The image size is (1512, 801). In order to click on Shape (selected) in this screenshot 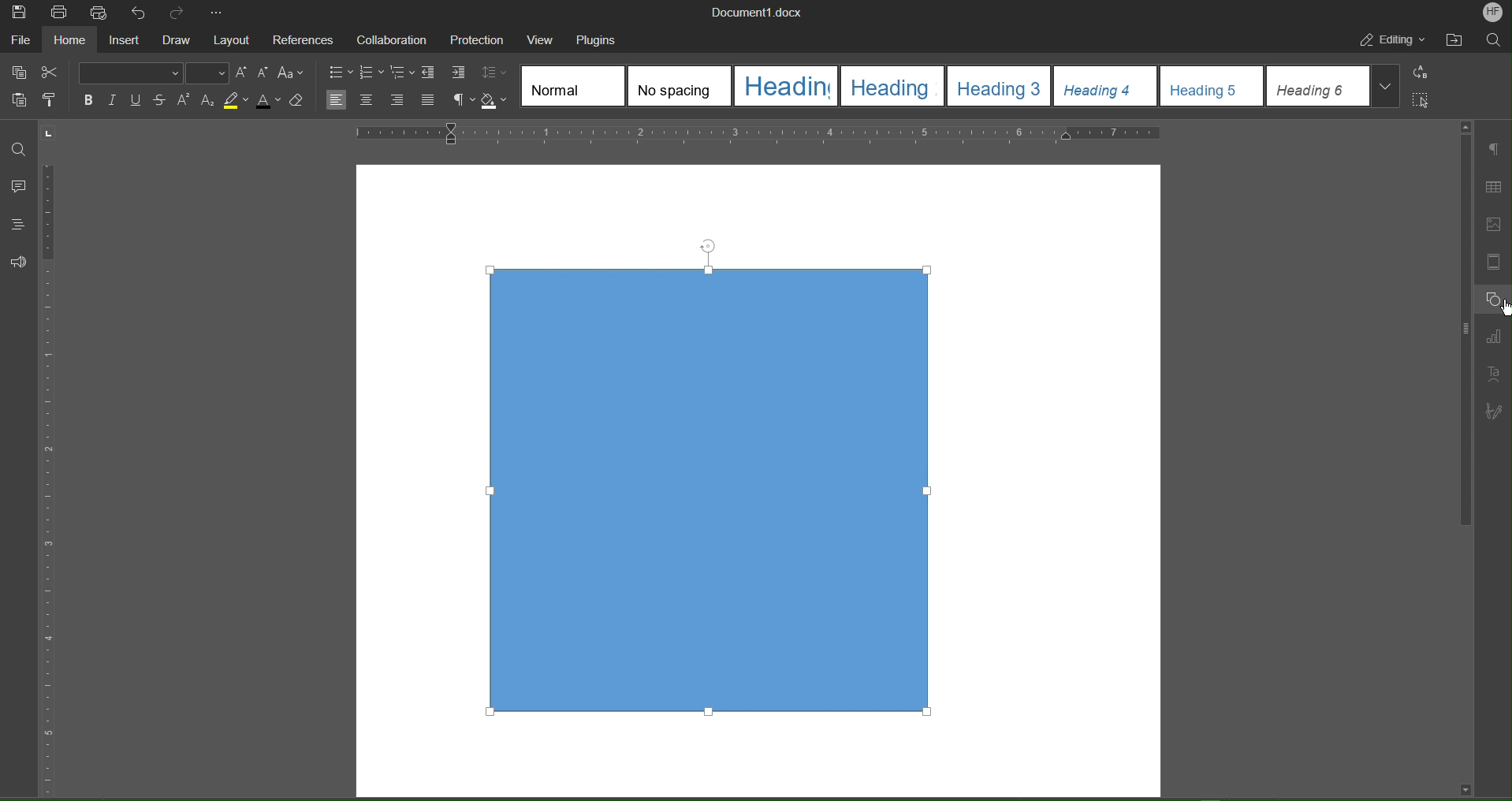, I will do `click(708, 481)`.